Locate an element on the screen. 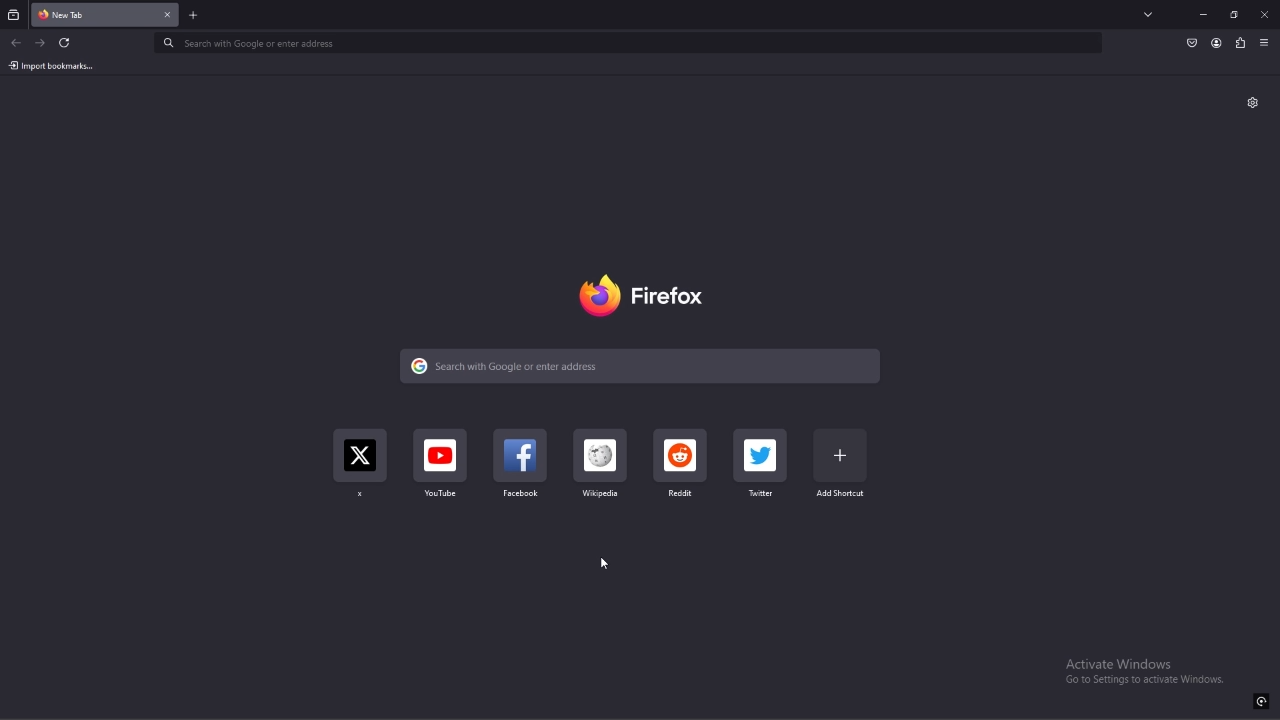 Image resolution: width=1280 pixels, height=720 pixels. reddiut is located at coordinates (681, 470).